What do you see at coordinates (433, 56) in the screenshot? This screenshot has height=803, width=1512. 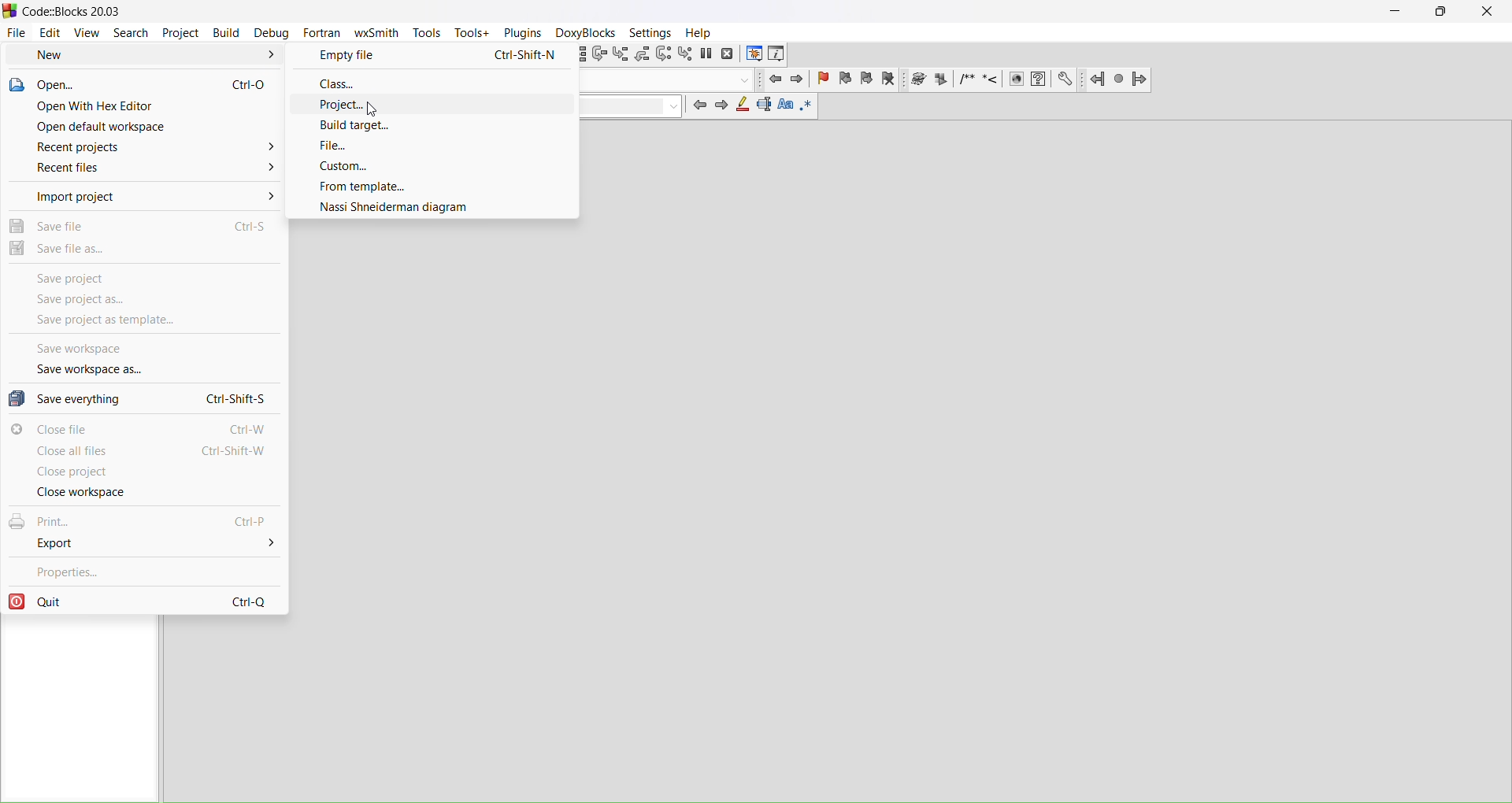 I see `empty file` at bounding box center [433, 56].